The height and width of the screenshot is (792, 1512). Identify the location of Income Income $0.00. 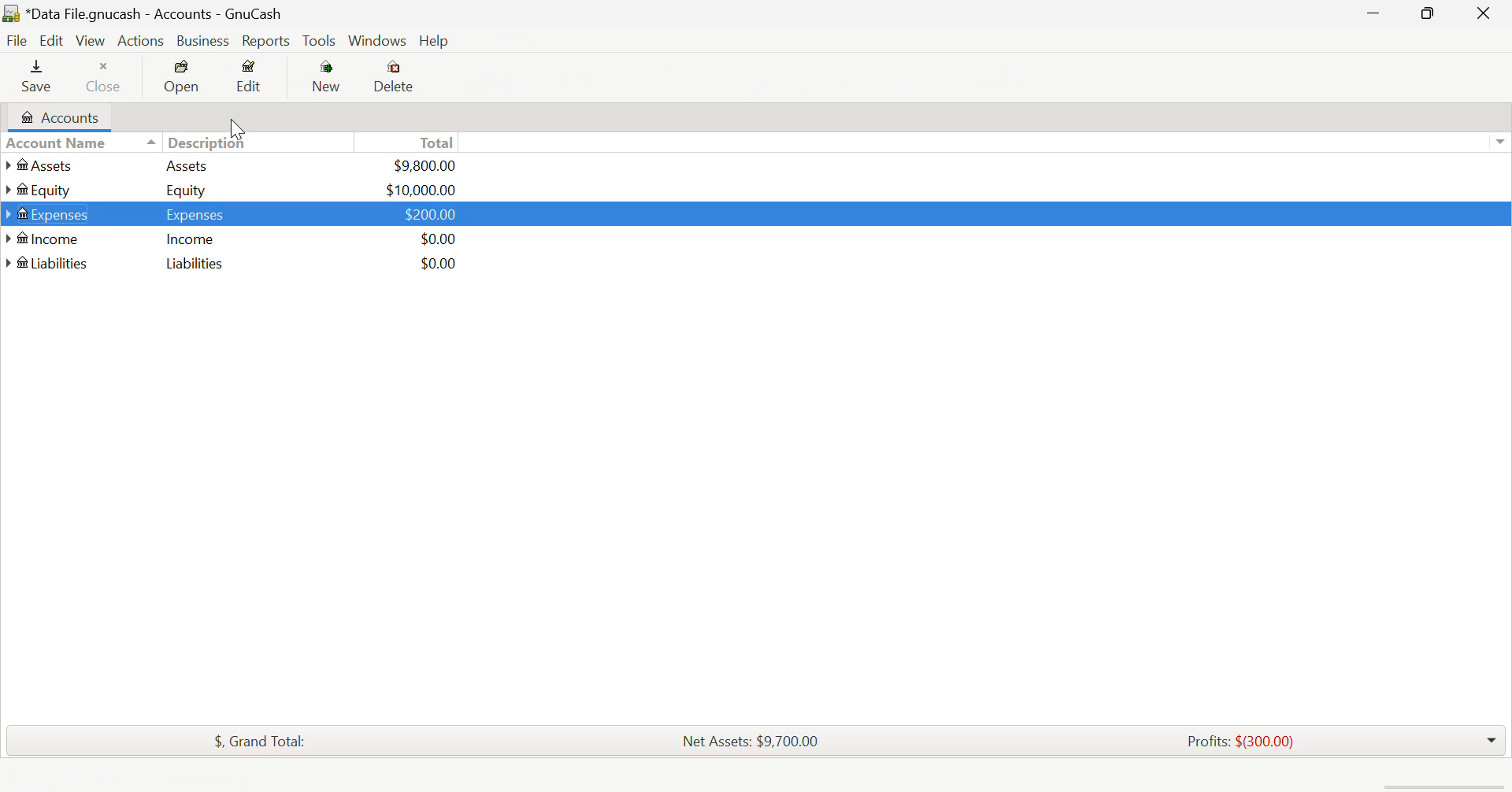
(232, 239).